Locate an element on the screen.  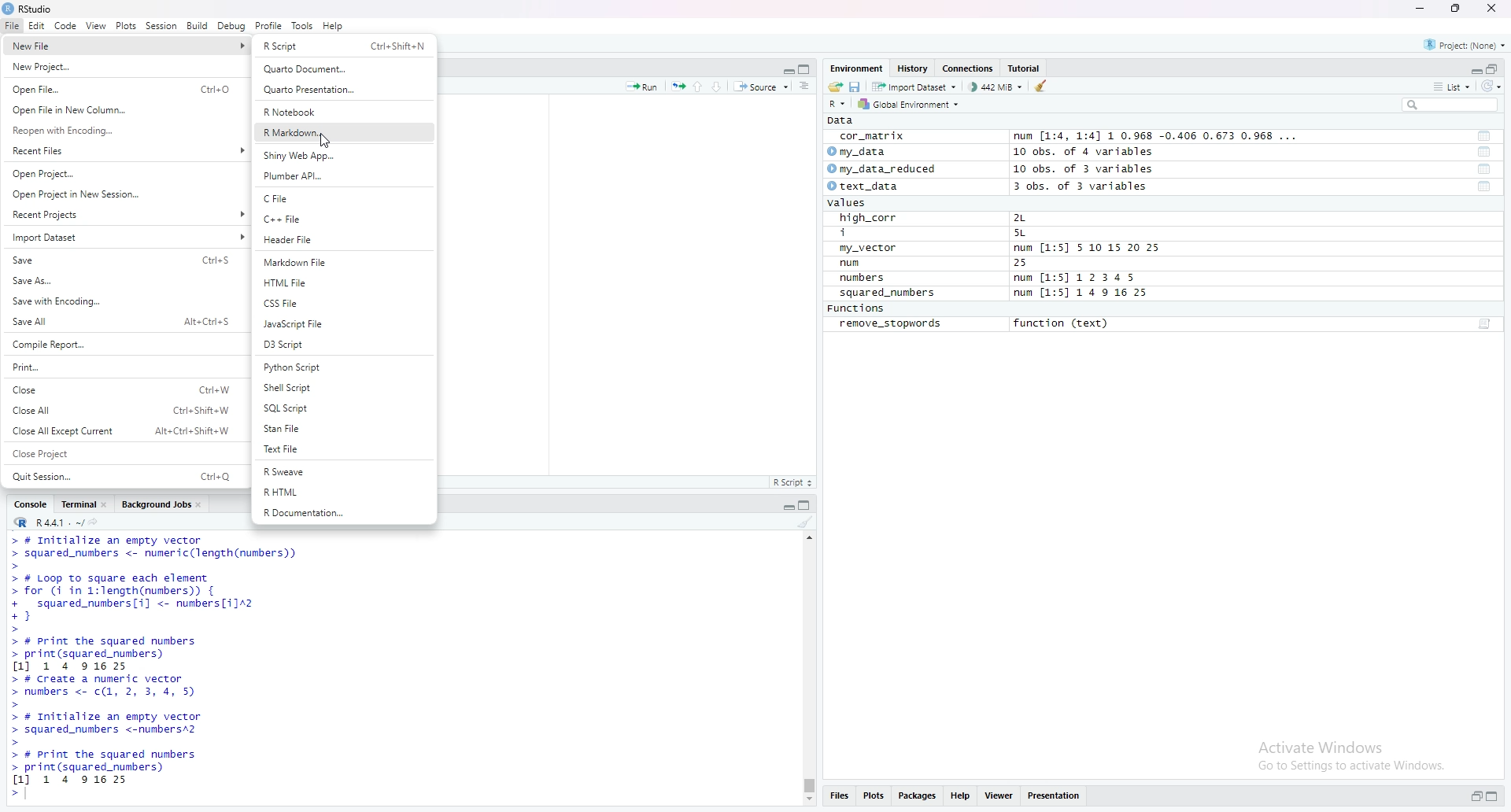
Terminal is located at coordinates (76, 507).